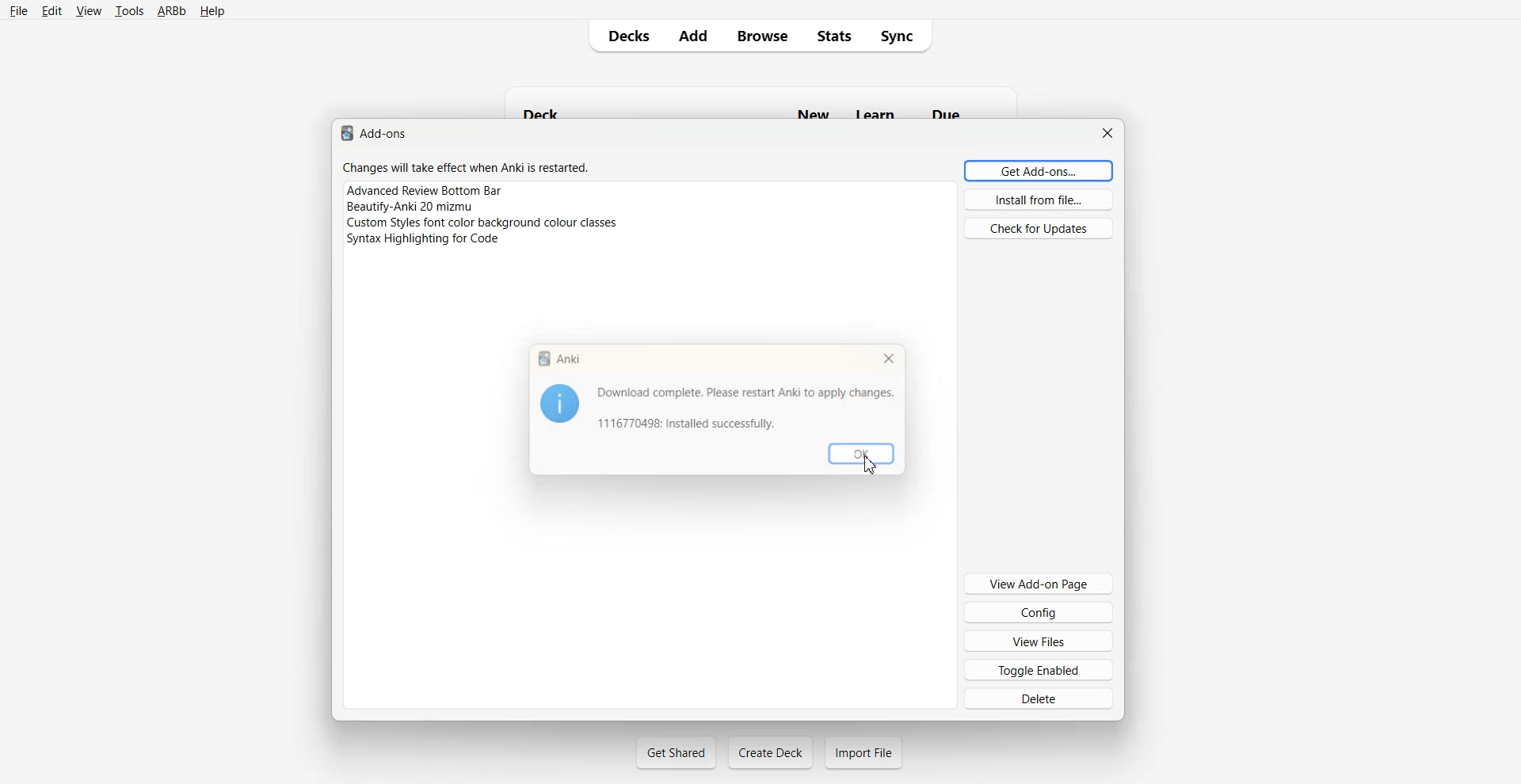  Describe the element at coordinates (1039, 582) in the screenshot. I see `View Add-on Page` at that location.